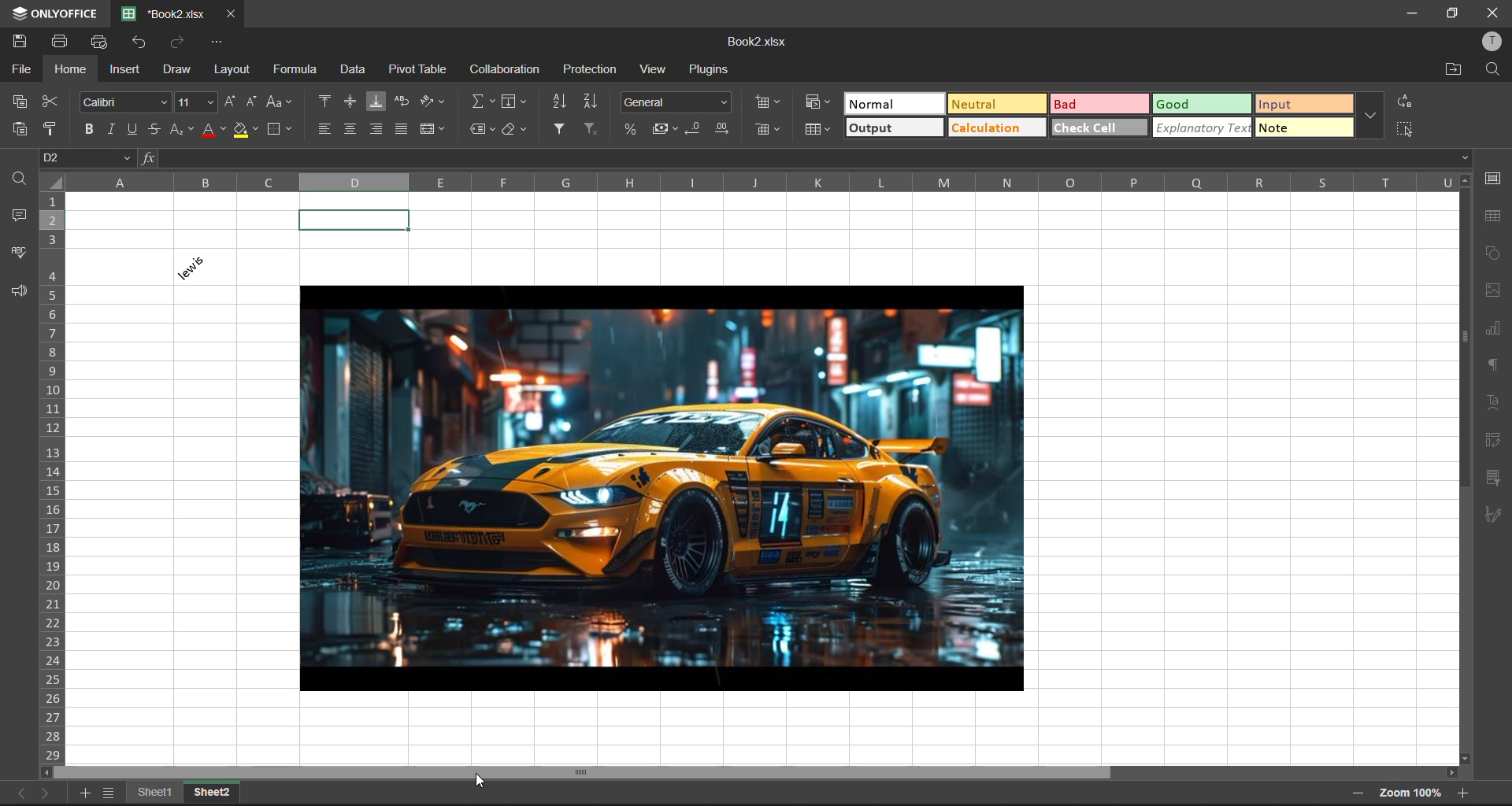 The width and height of the screenshot is (1512, 806). Describe the element at coordinates (434, 128) in the screenshot. I see `merge and center` at that location.